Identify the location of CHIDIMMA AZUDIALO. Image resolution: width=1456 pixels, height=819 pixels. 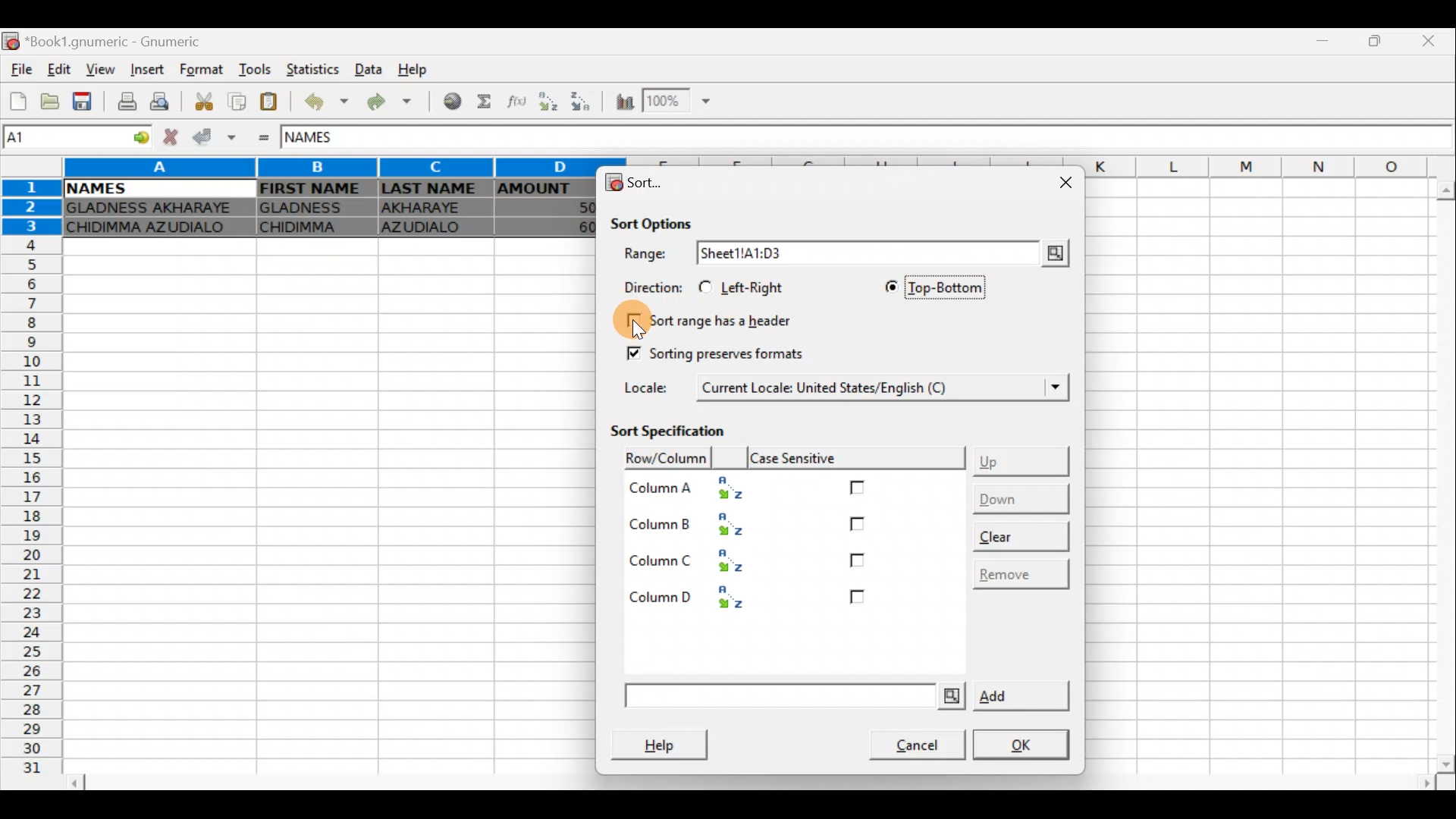
(153, 229).